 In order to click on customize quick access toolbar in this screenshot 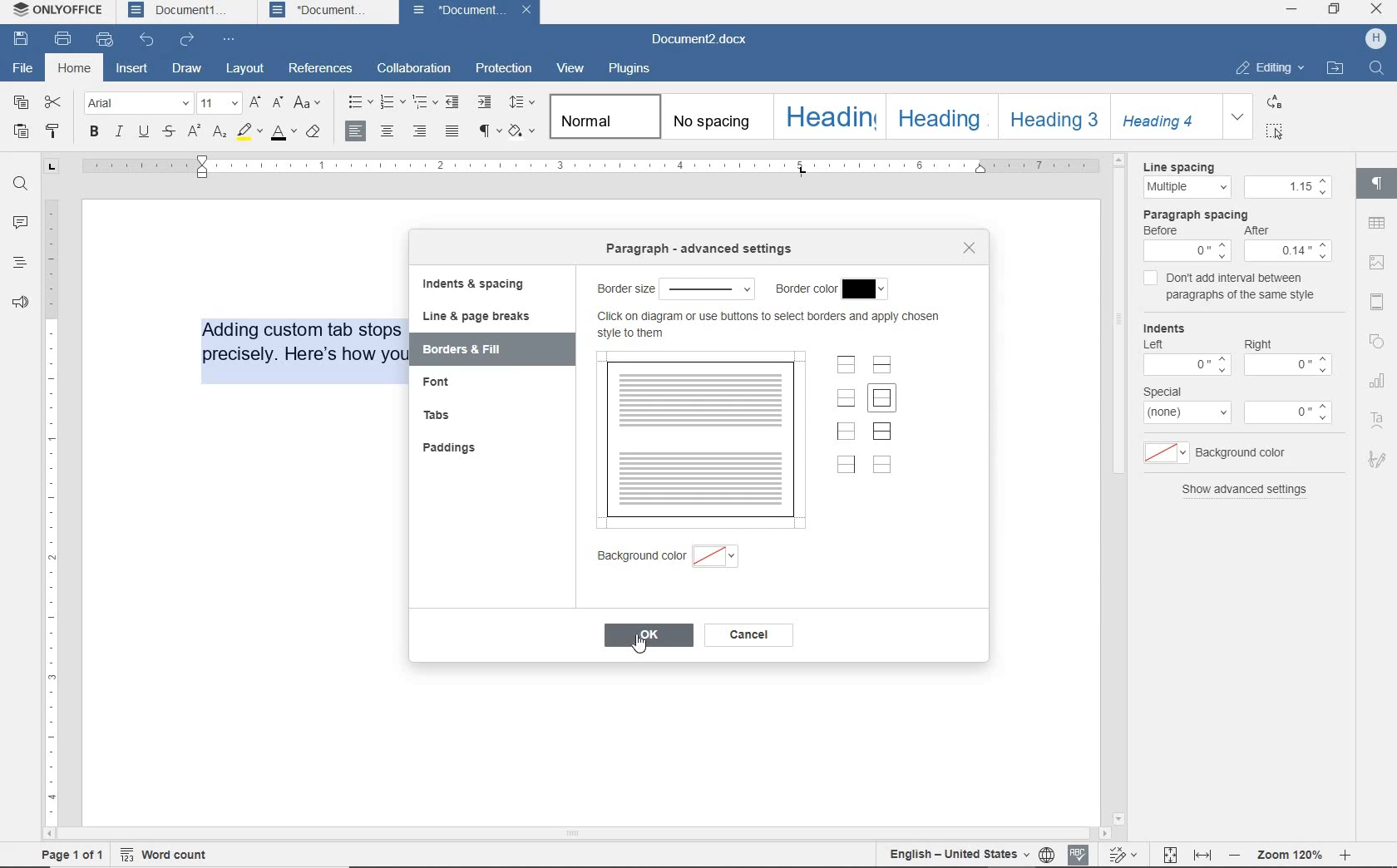, I will do `click(232, 41)`.